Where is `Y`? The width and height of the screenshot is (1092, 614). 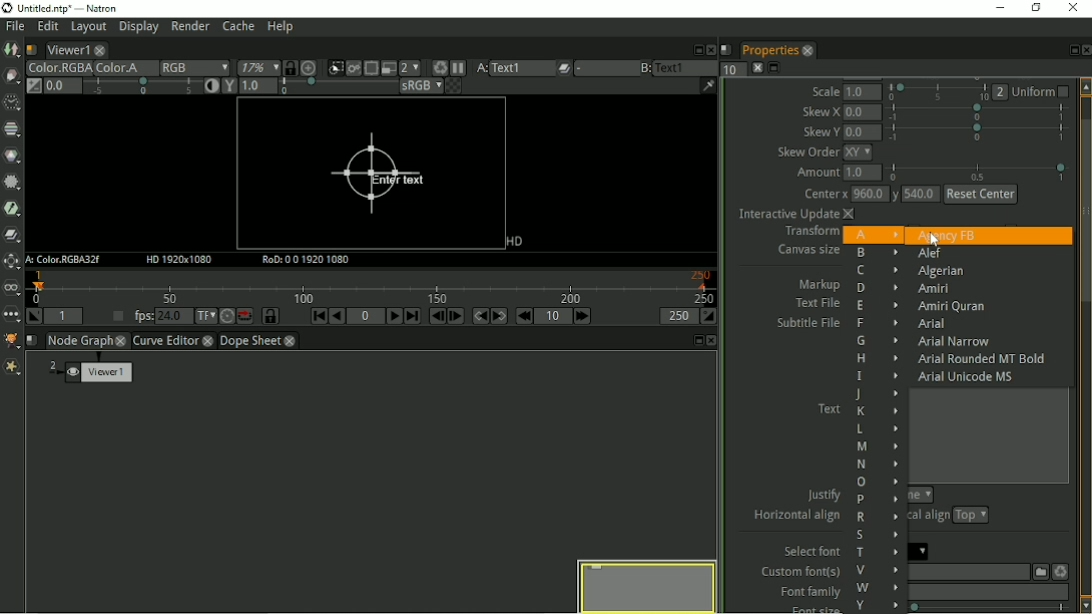 Y is located at coordinates (877, 605).